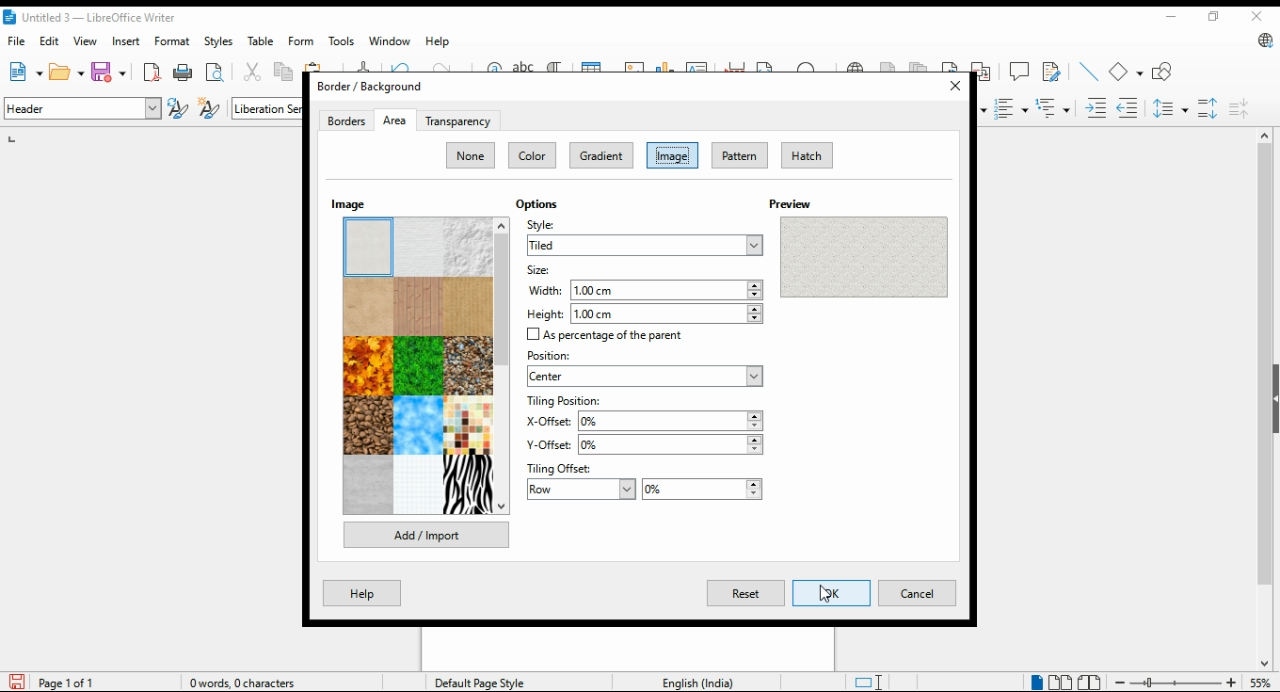  What do you see at coordinates (452, 65) in the screenshot?
I see `redo` at bounding box center [452, 65].